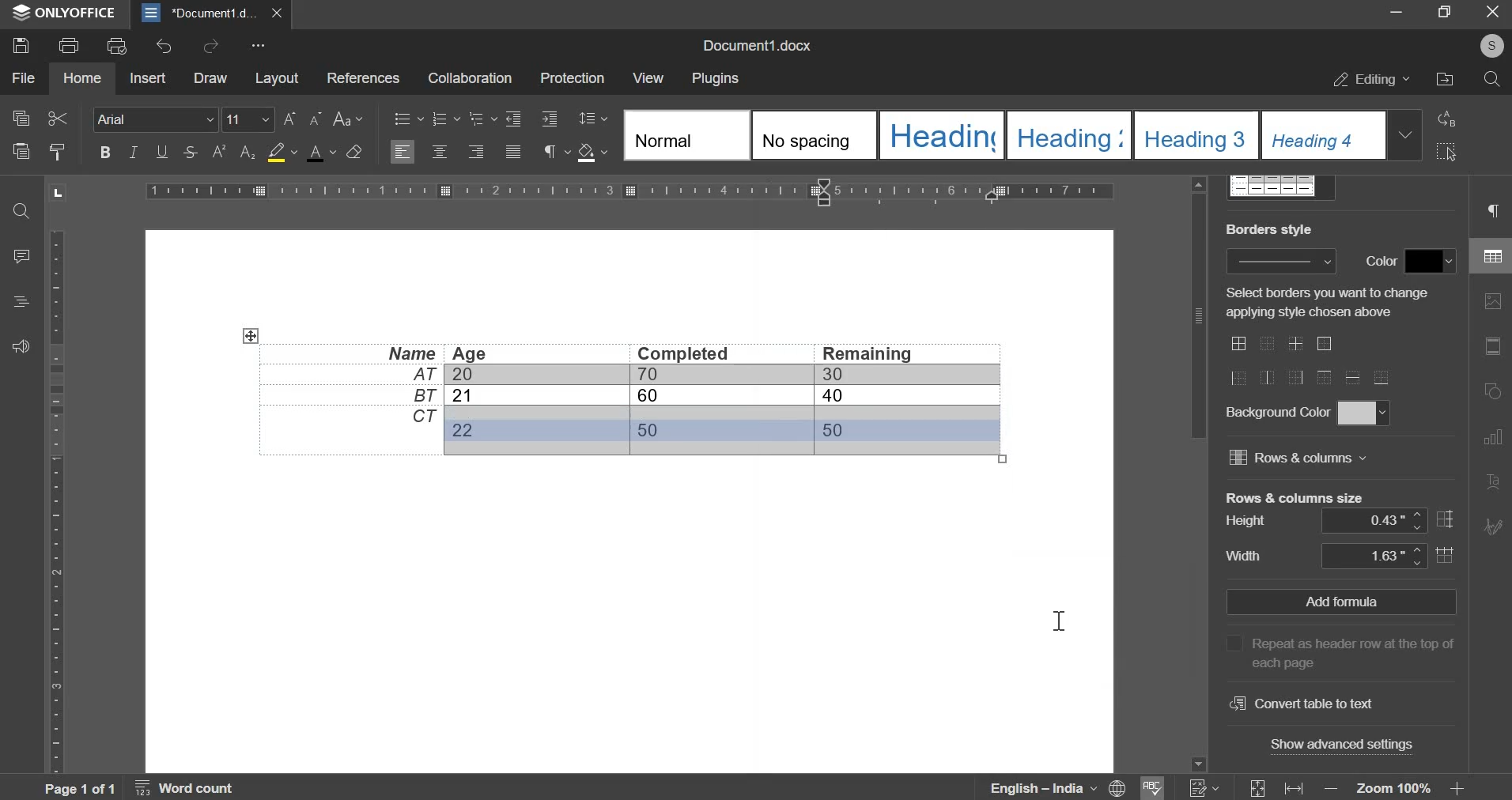 The width and height of the screenshot is (1512, 800). I want to click on replace, so click(1448, 120).